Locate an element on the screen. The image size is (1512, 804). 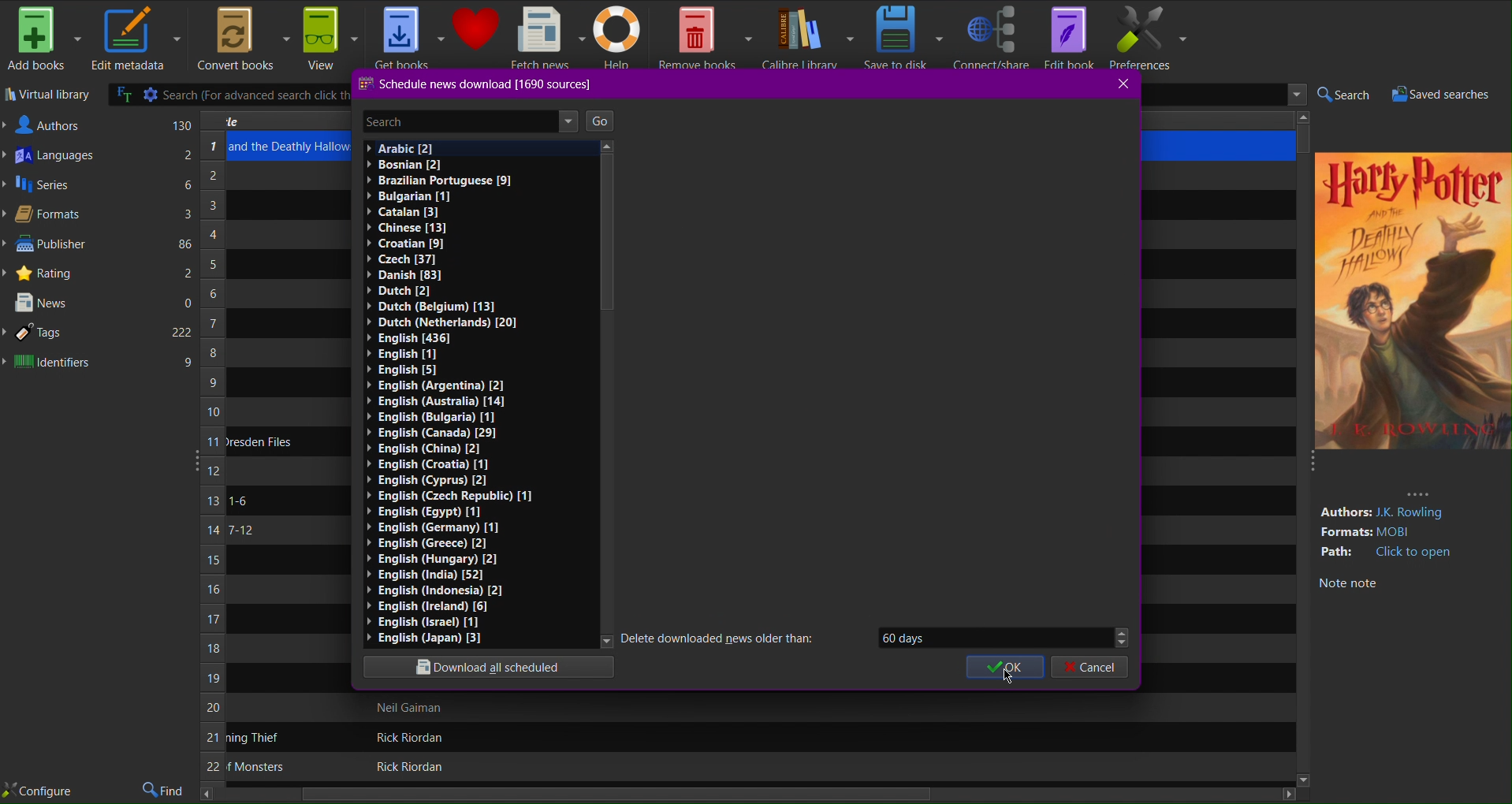
1-6 is located at coordinates (238, 501).